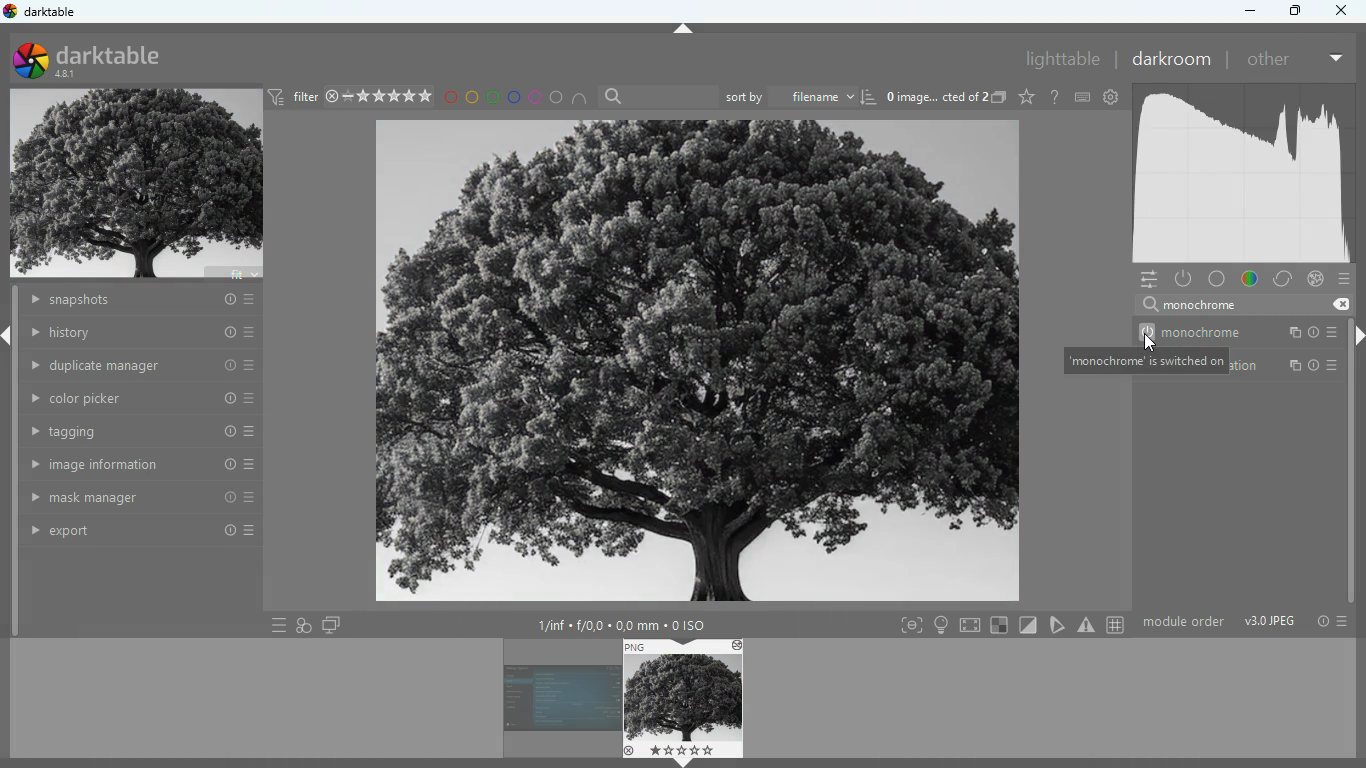 The height and width of the screenshot is (768, 1366). I want to click on menu, so click(1343, 279).